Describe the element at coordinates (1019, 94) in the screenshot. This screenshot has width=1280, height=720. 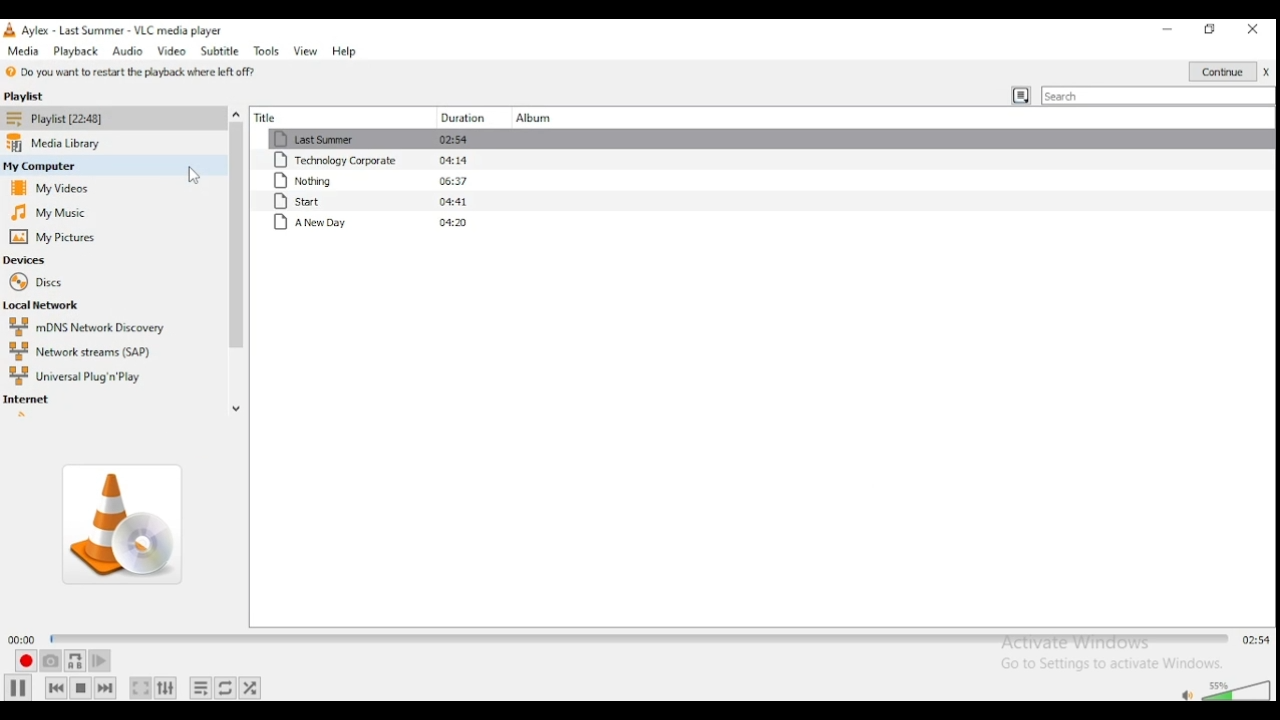
I see `toggle playlist view` at that location.